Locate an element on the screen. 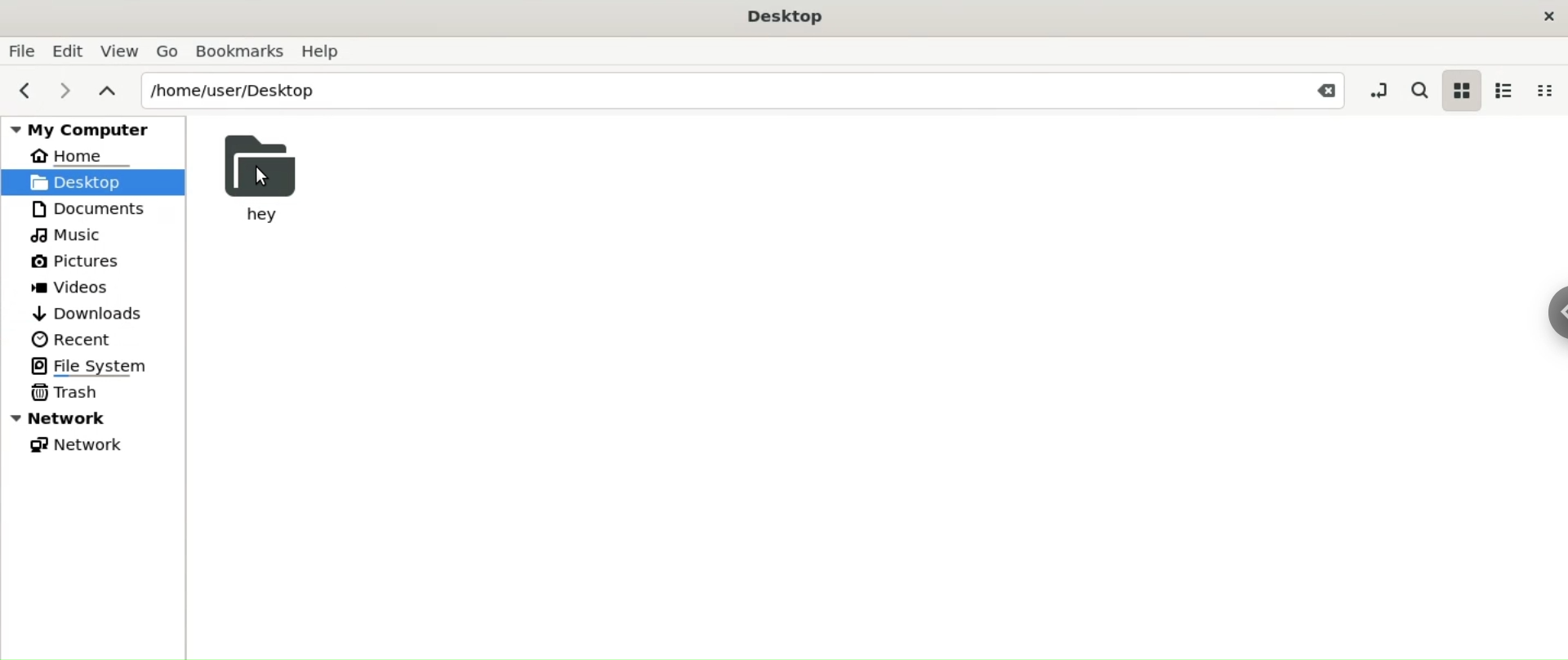 This screenshot has width=1568, height=660. Help is located at coordinates (326, 51).